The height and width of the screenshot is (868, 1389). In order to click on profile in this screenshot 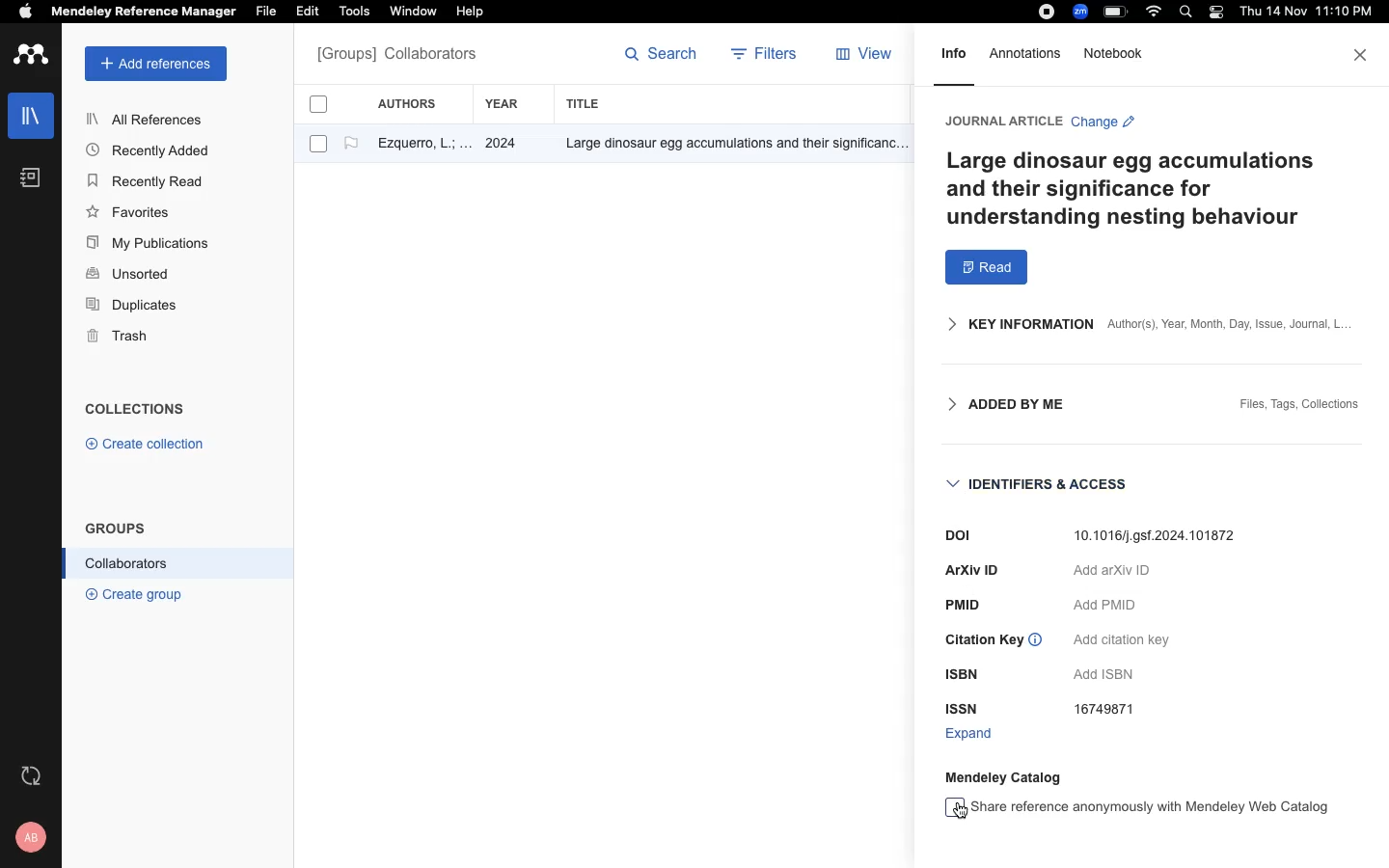, I will do `click(34, 837)`.